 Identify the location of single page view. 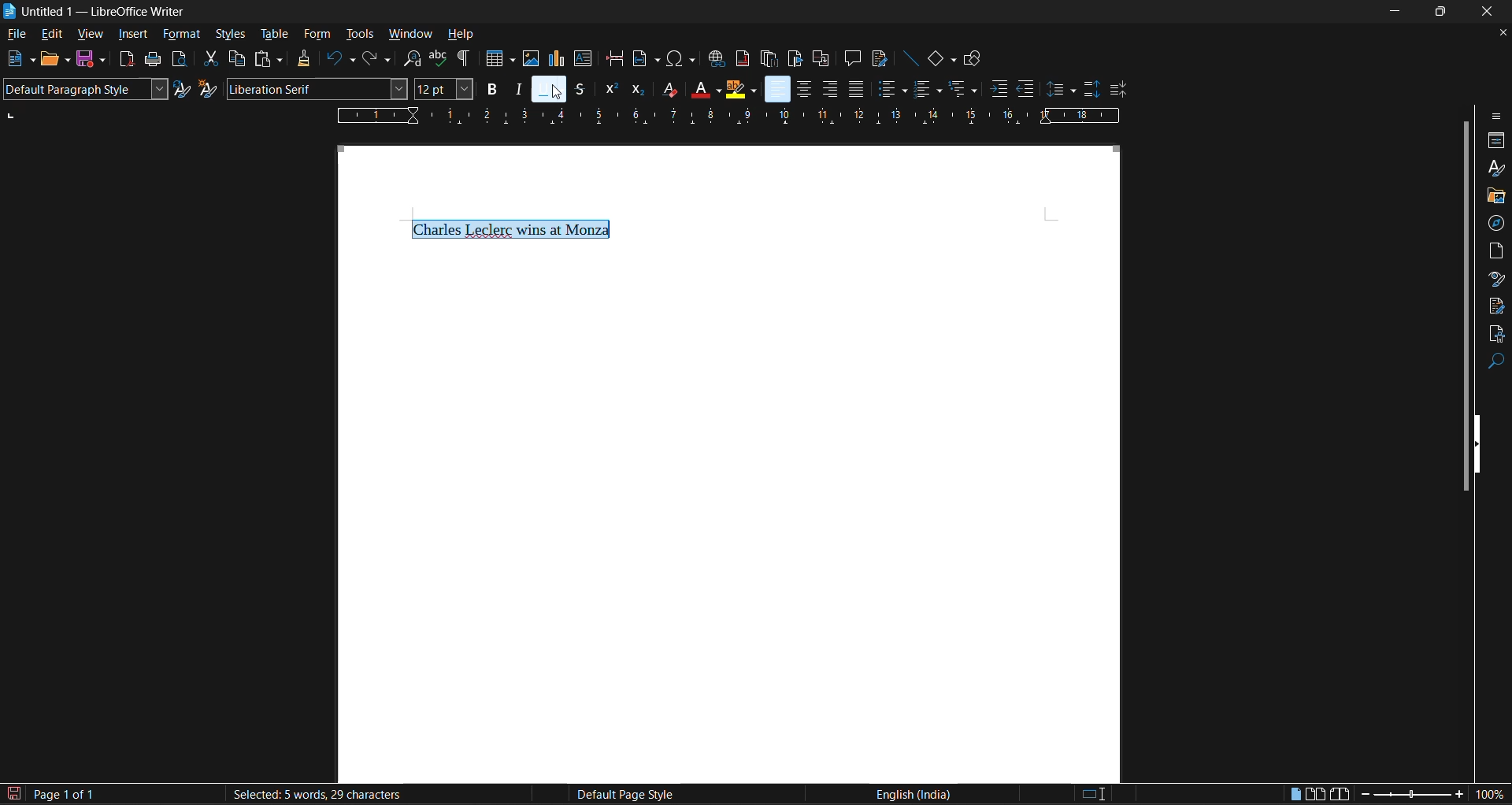
(1296, 796).